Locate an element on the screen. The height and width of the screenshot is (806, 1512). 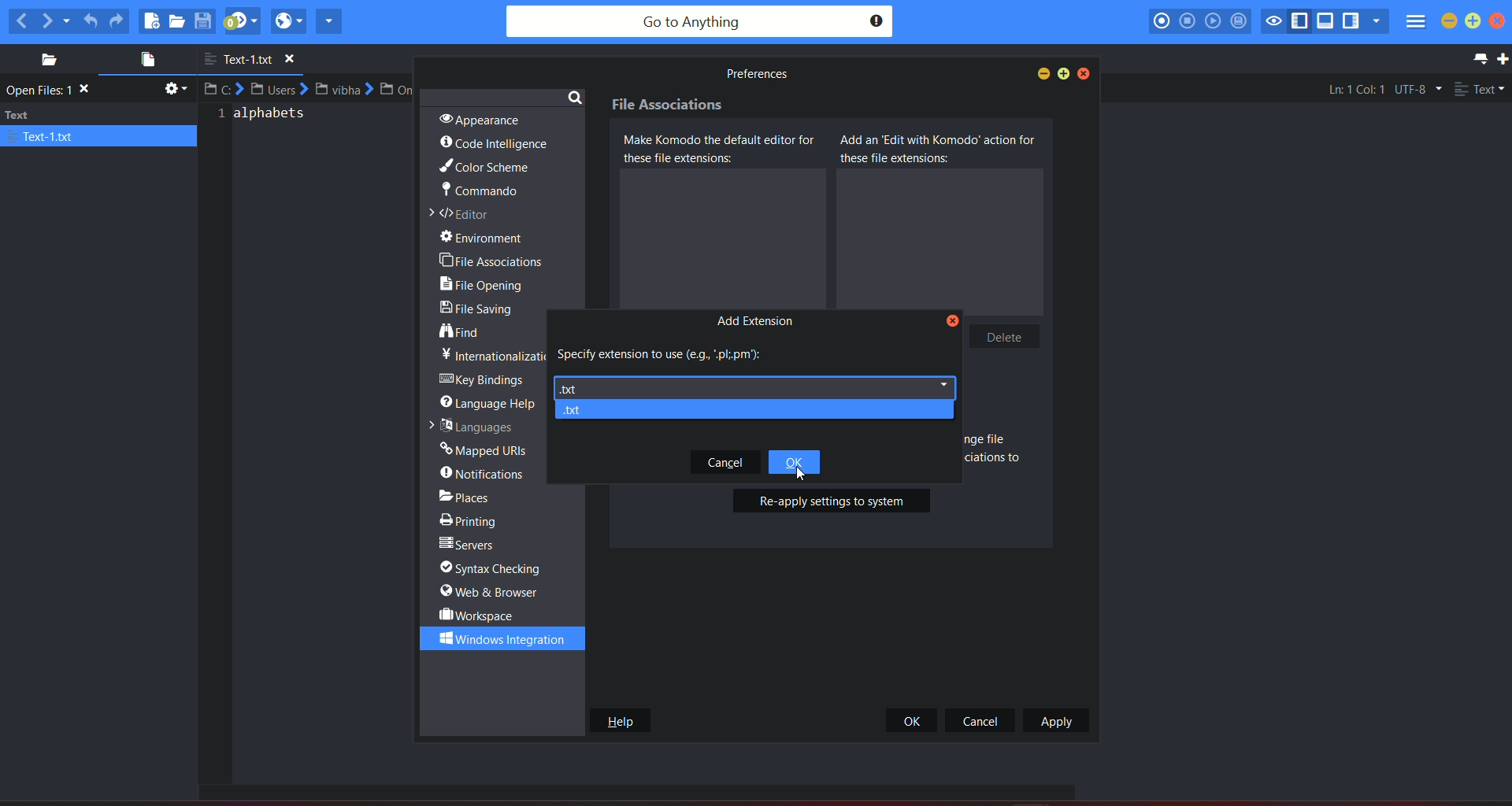
close is located at coordinates (1502, 22).